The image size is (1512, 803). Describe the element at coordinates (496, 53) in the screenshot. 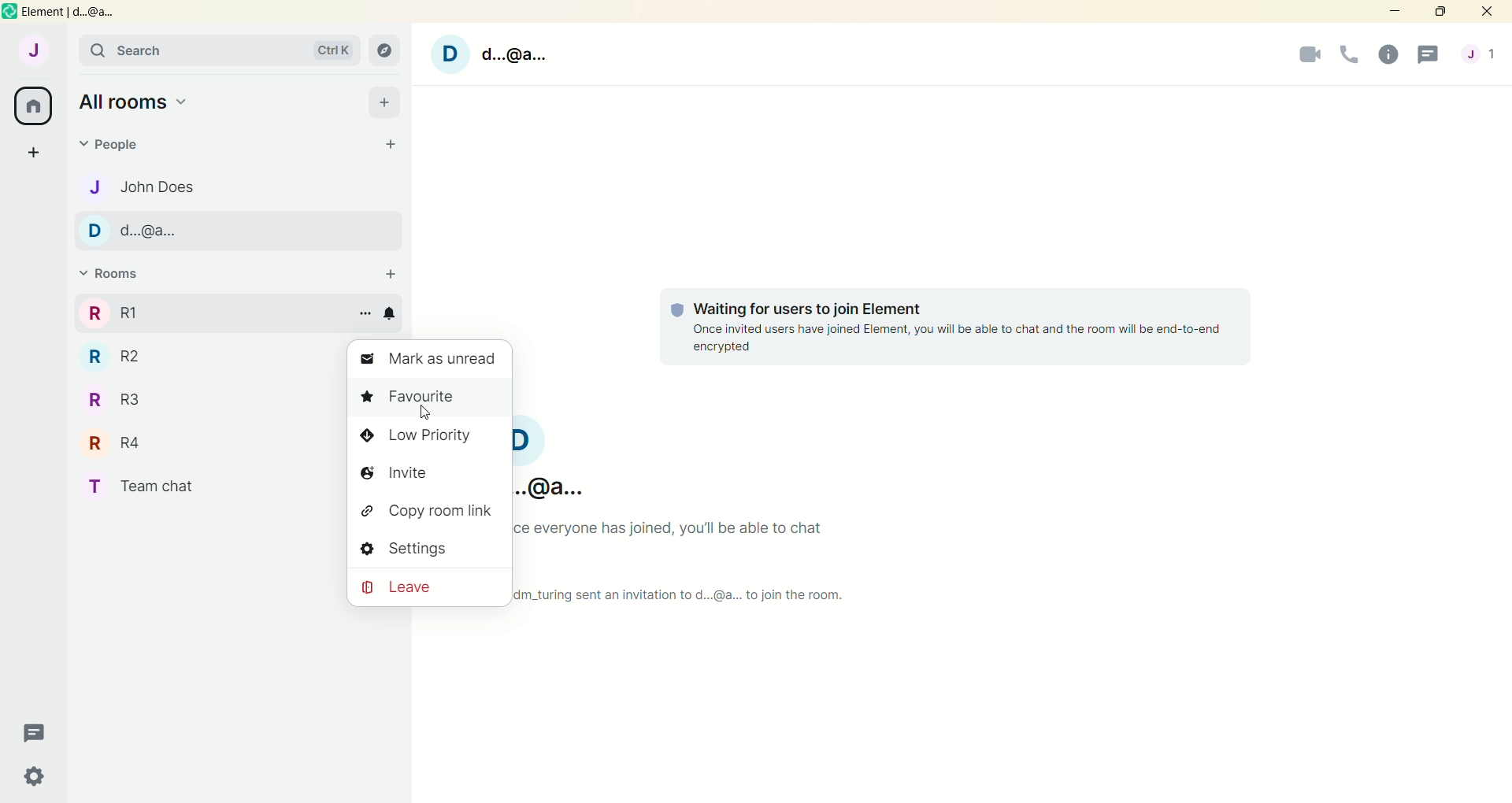

I see `D d.@a.. profile` at that location.